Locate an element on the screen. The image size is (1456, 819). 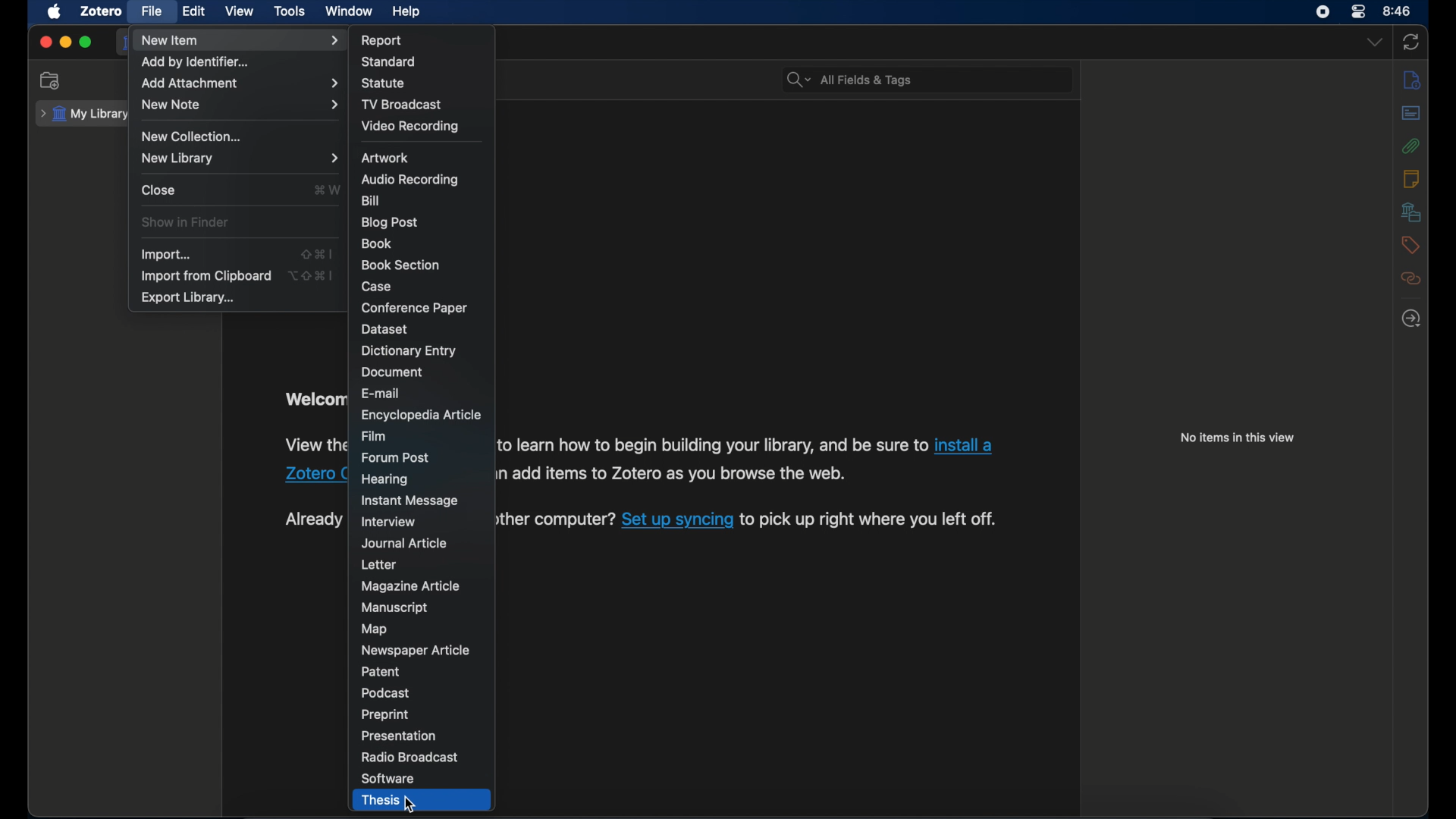
minimize is located at coordinates (65, 42).